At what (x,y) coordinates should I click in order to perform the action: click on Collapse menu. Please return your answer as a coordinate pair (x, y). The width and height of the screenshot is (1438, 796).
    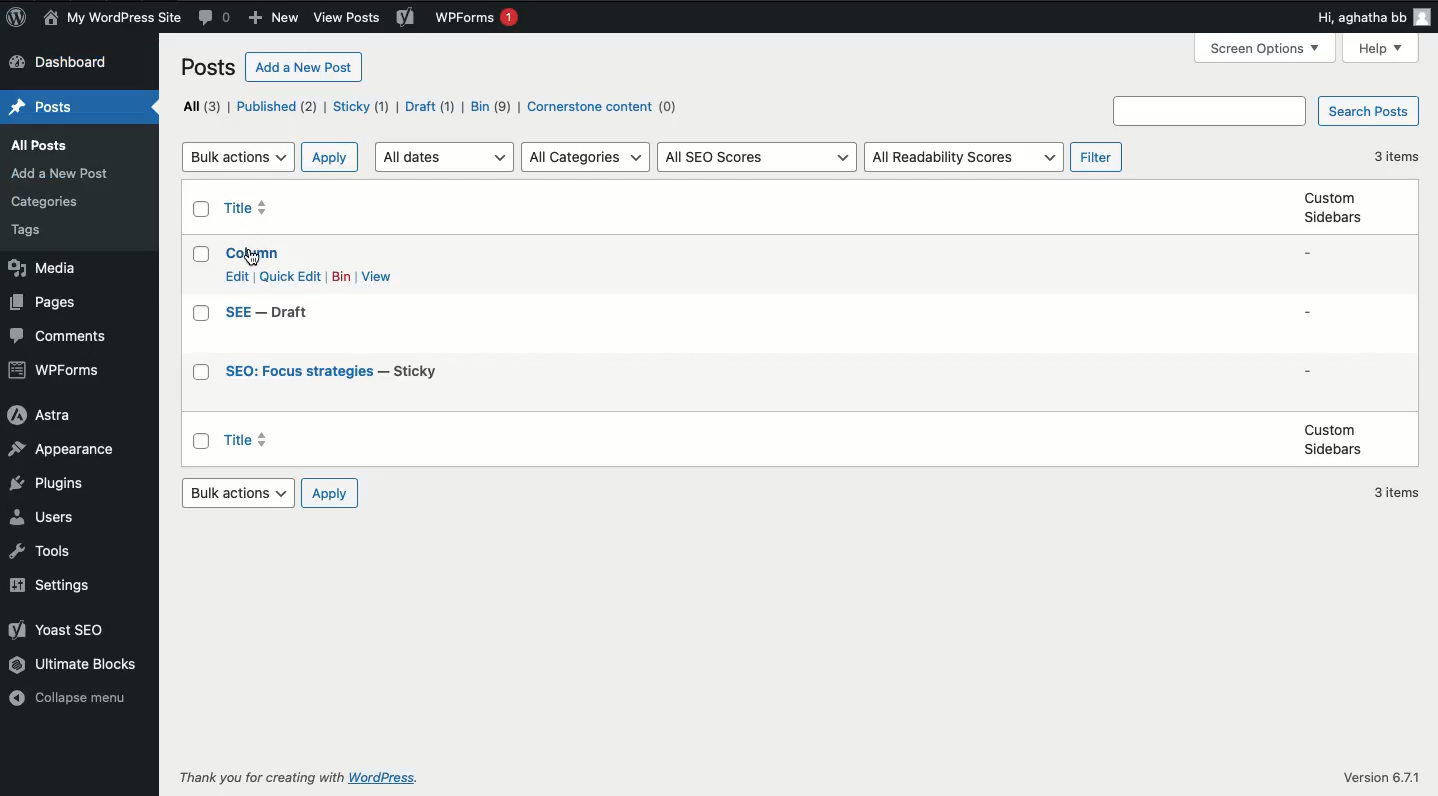
    Looking at the image, I should click on (70, 701).